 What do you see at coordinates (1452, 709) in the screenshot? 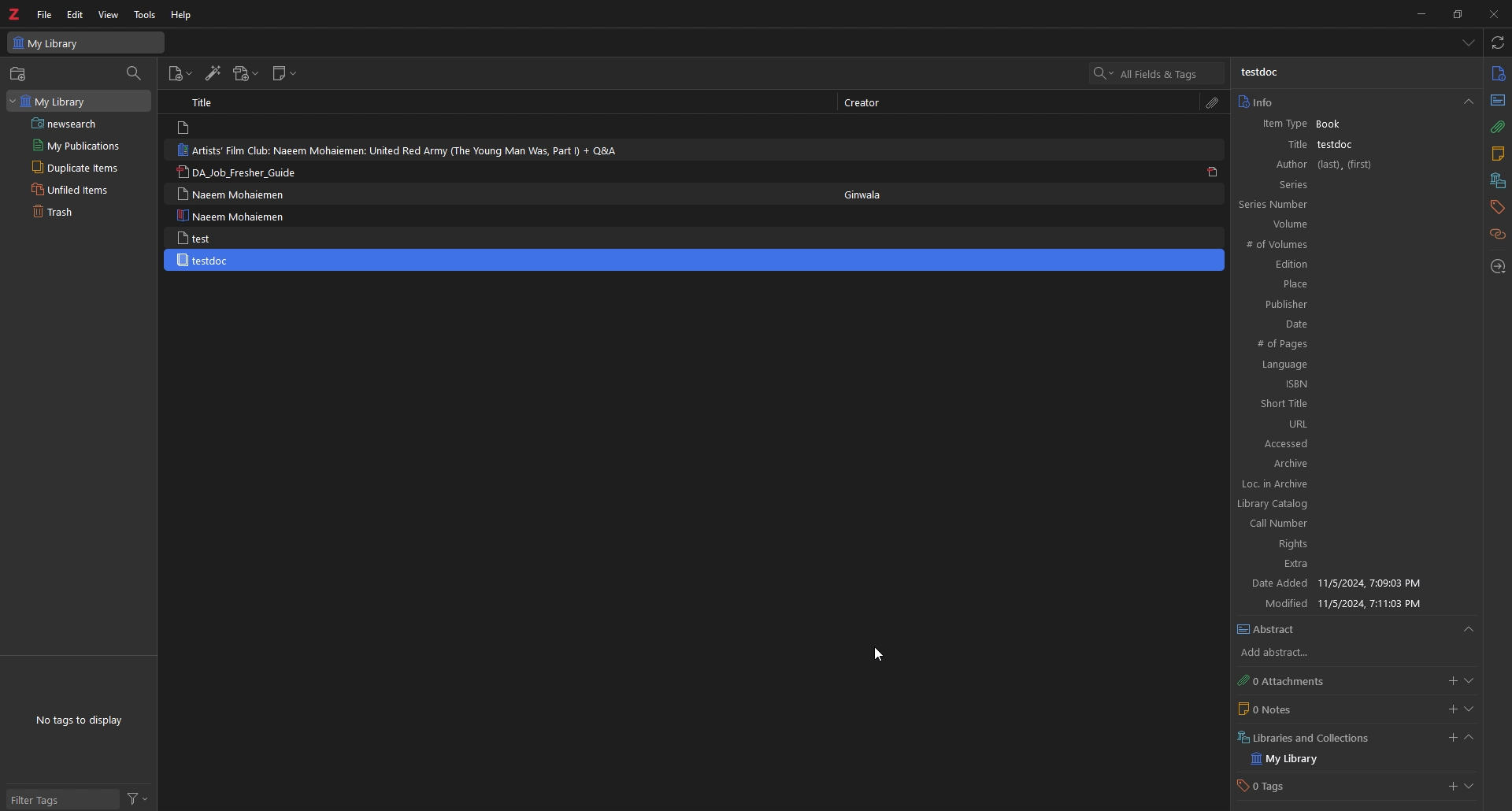
I see `add notes` at bounding box center [1452, 709].